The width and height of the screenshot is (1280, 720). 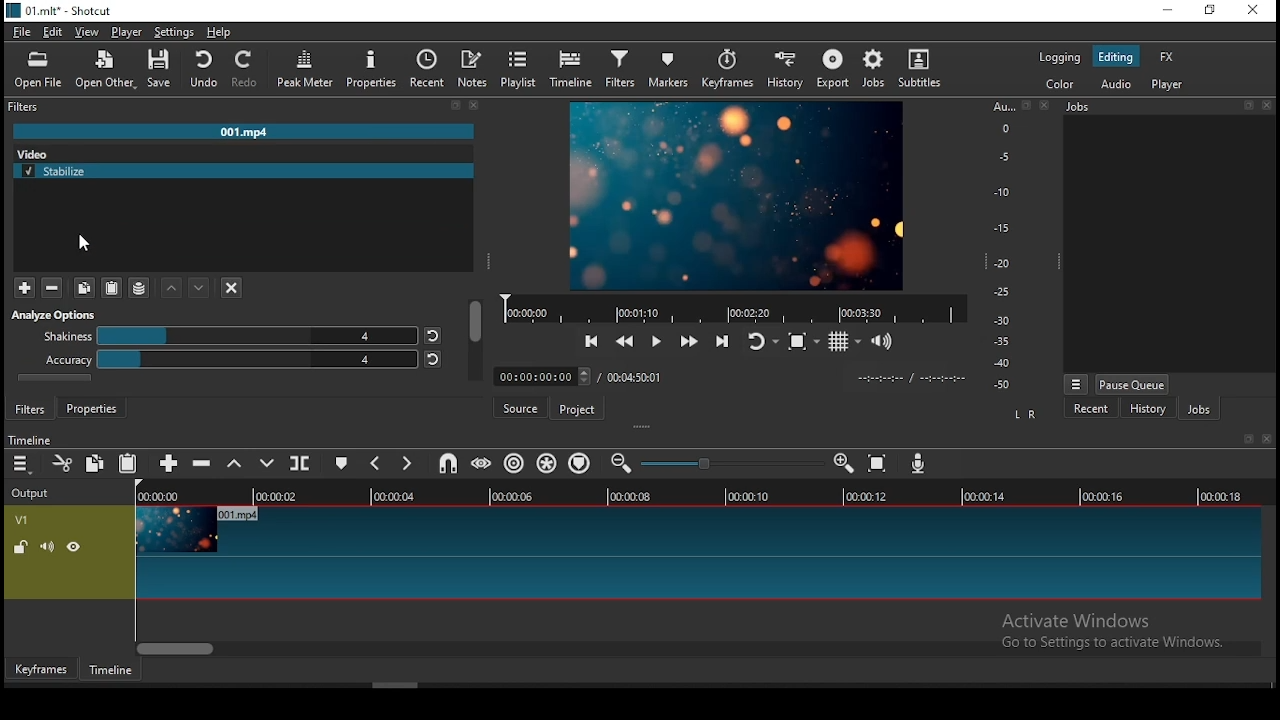 I want to click on fullscreen, so click(x=1246, y=106).